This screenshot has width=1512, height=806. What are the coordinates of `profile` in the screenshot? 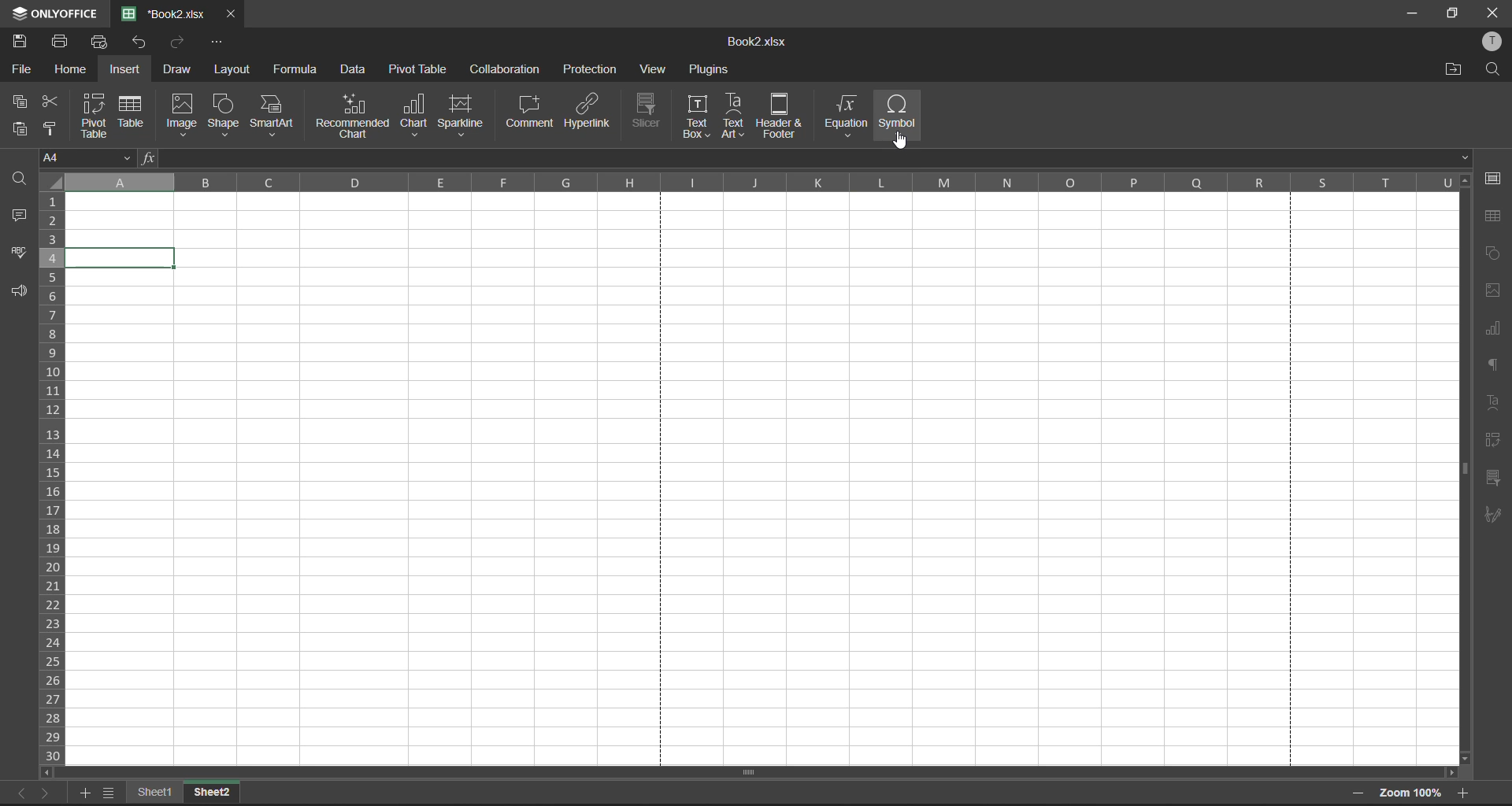 It's located at (1492, 42).